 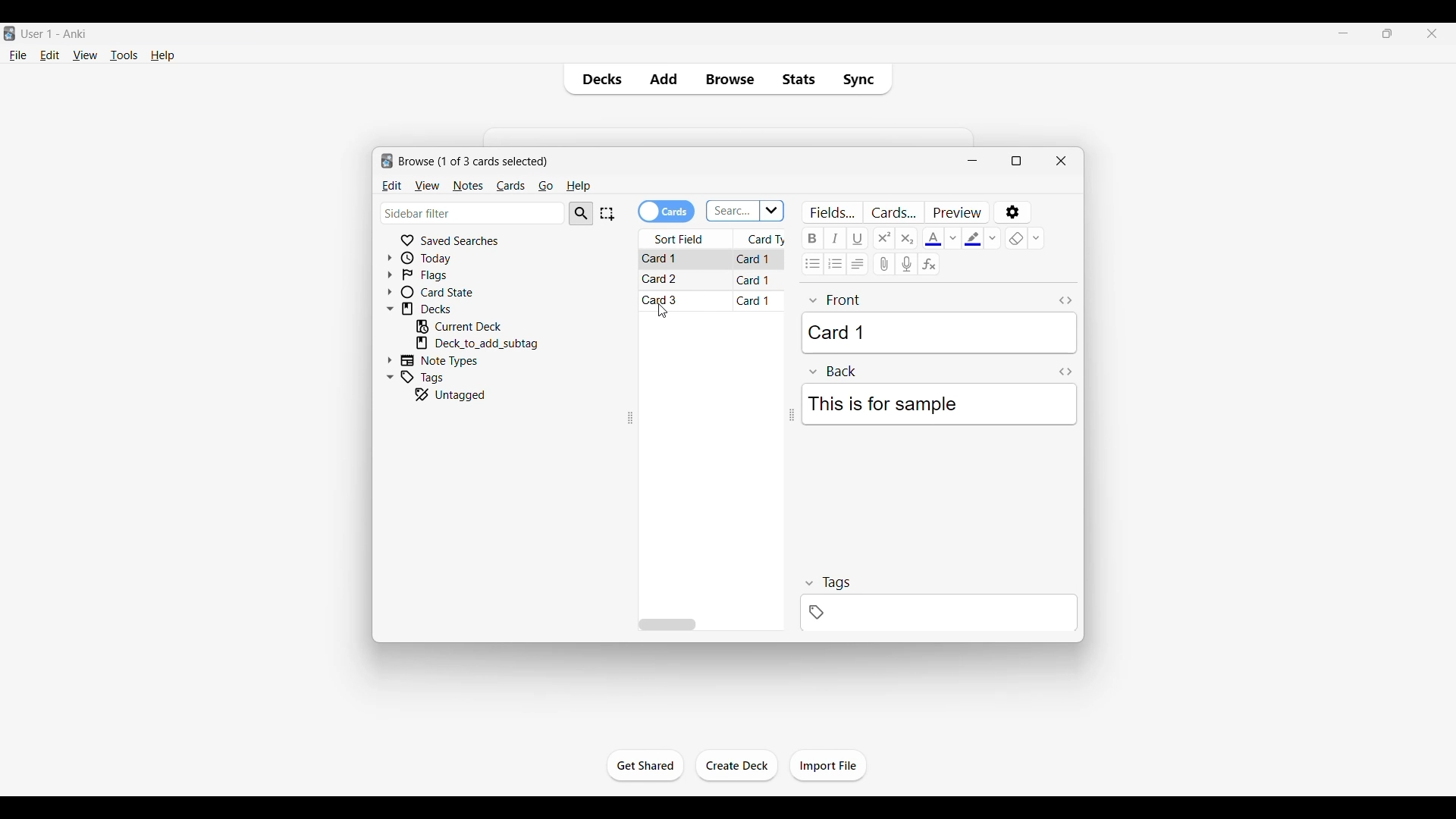 What do you see at coordinates (939, 333) in the screenshot?
I see `Card 1` at bounding box center [939, 333].